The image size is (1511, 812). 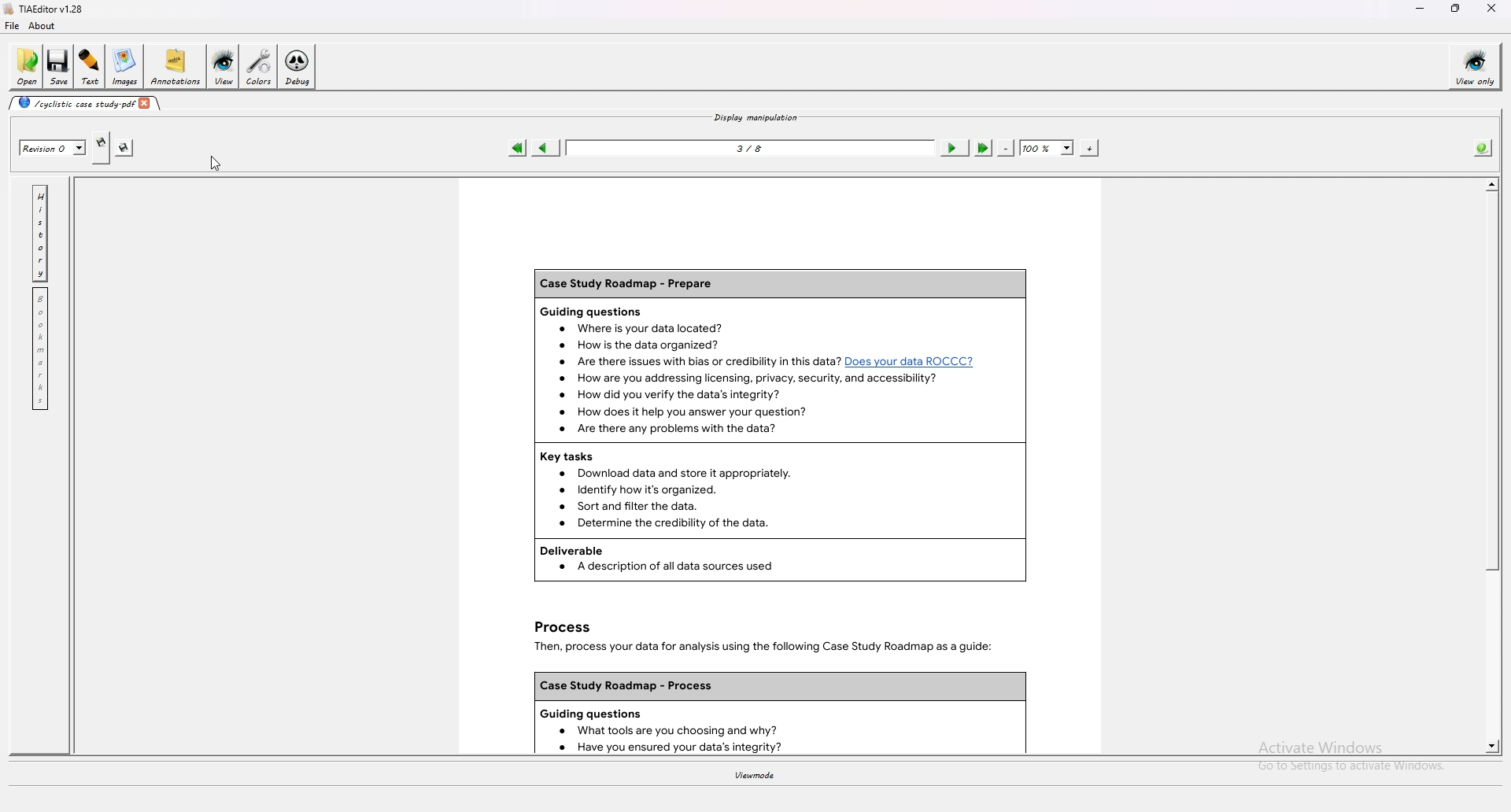 I want to click on Are there any problems with the data?, so click(x=682, y=430).